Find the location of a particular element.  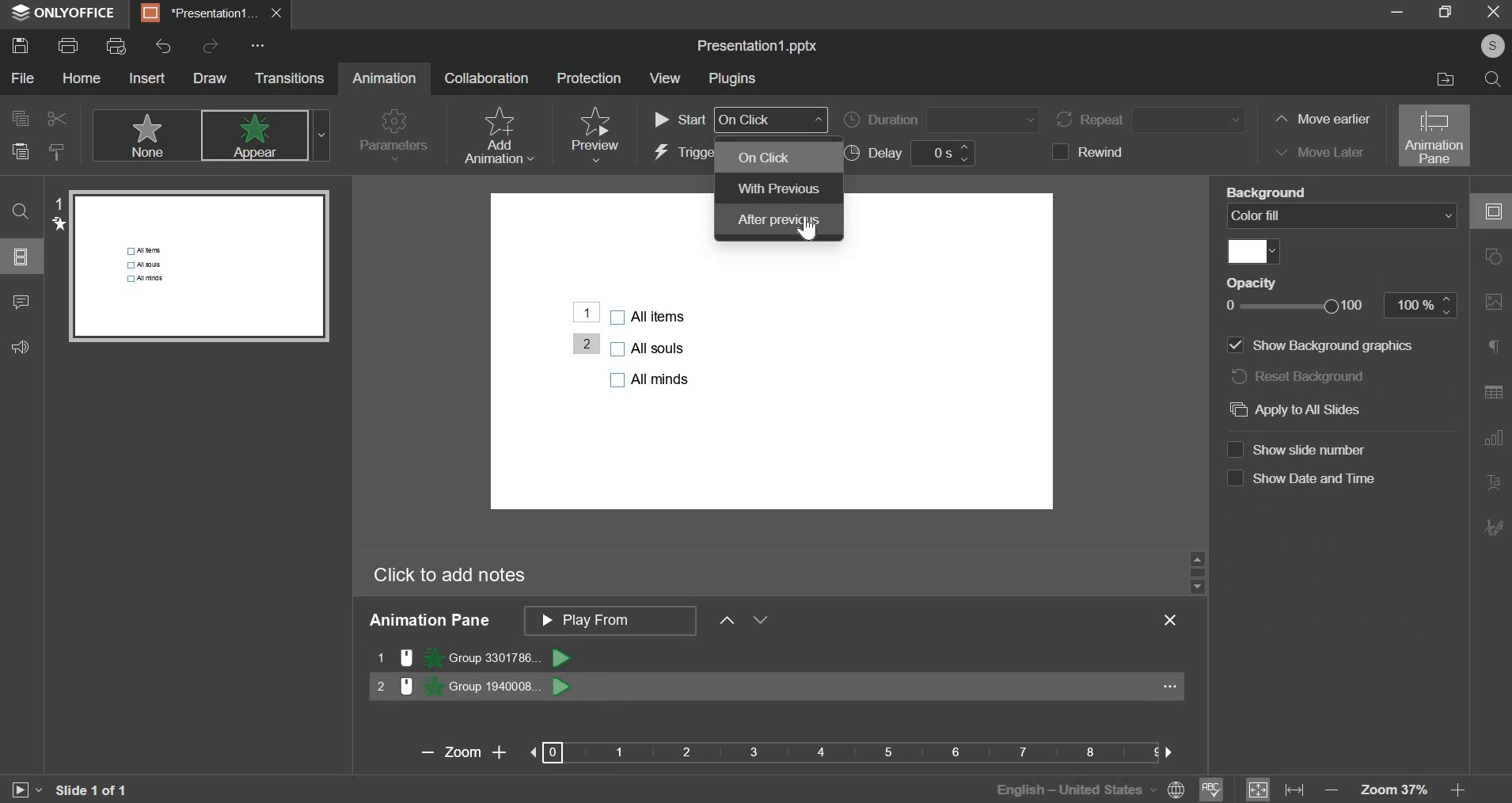

exit is located at coordinates (1487, 15).